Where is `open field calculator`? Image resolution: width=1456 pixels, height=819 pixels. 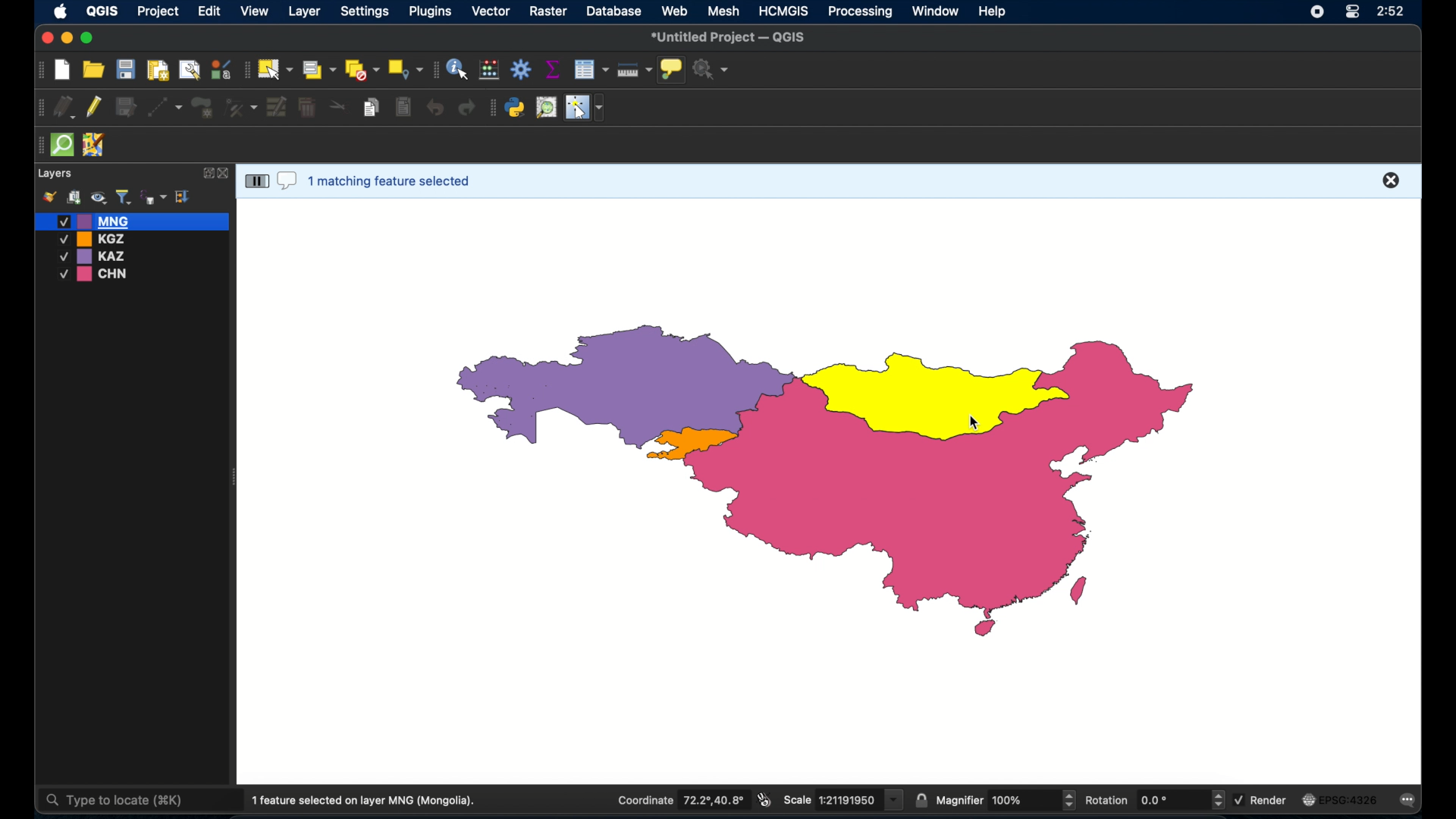
open field calculator is located at coordinates (491, 69).